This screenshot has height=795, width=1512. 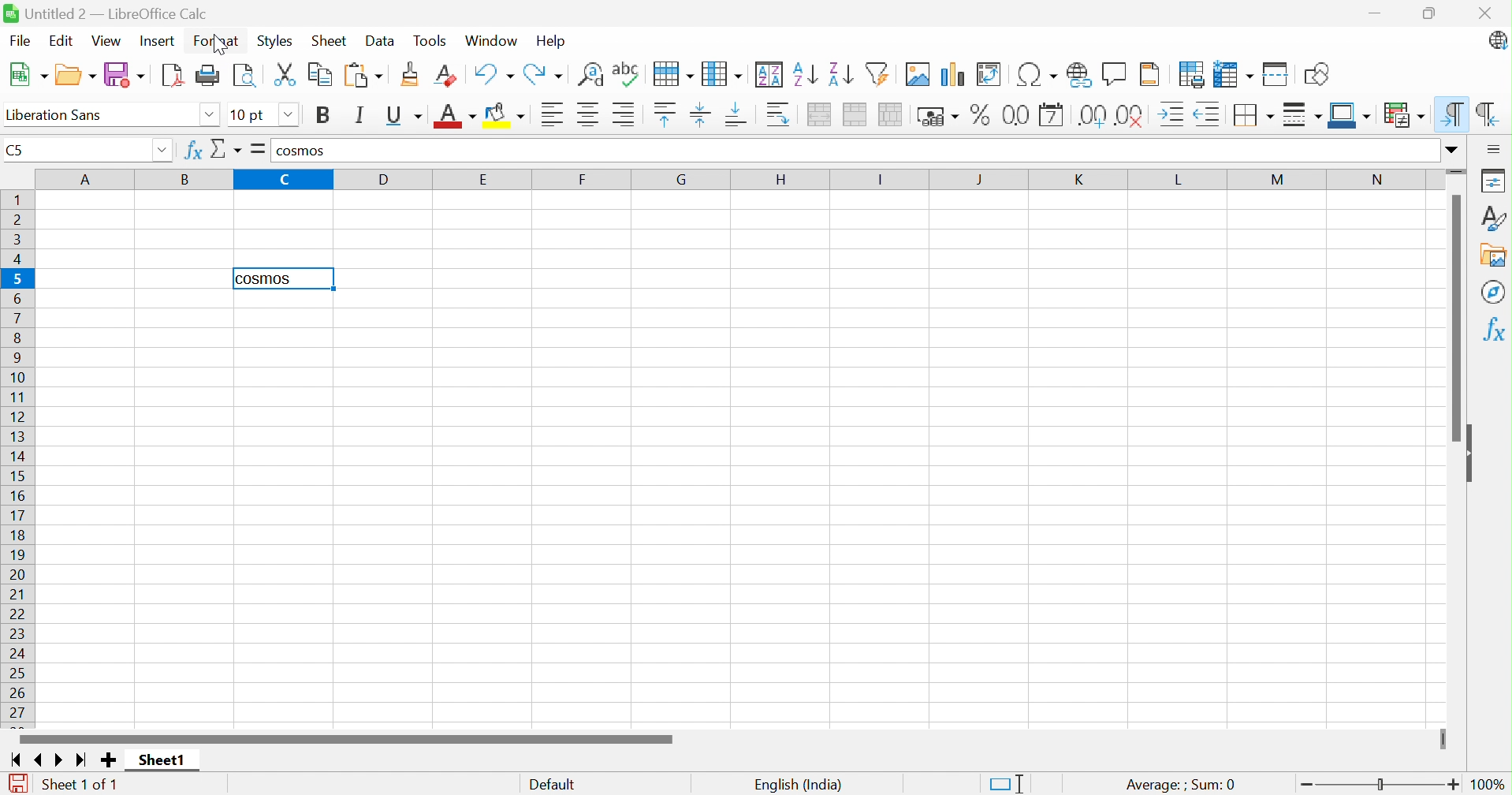 What do you see at coordinates (44, 761) in the screenshot?
I see `Scroll to previous sheet` at bounding box center [44, 761].